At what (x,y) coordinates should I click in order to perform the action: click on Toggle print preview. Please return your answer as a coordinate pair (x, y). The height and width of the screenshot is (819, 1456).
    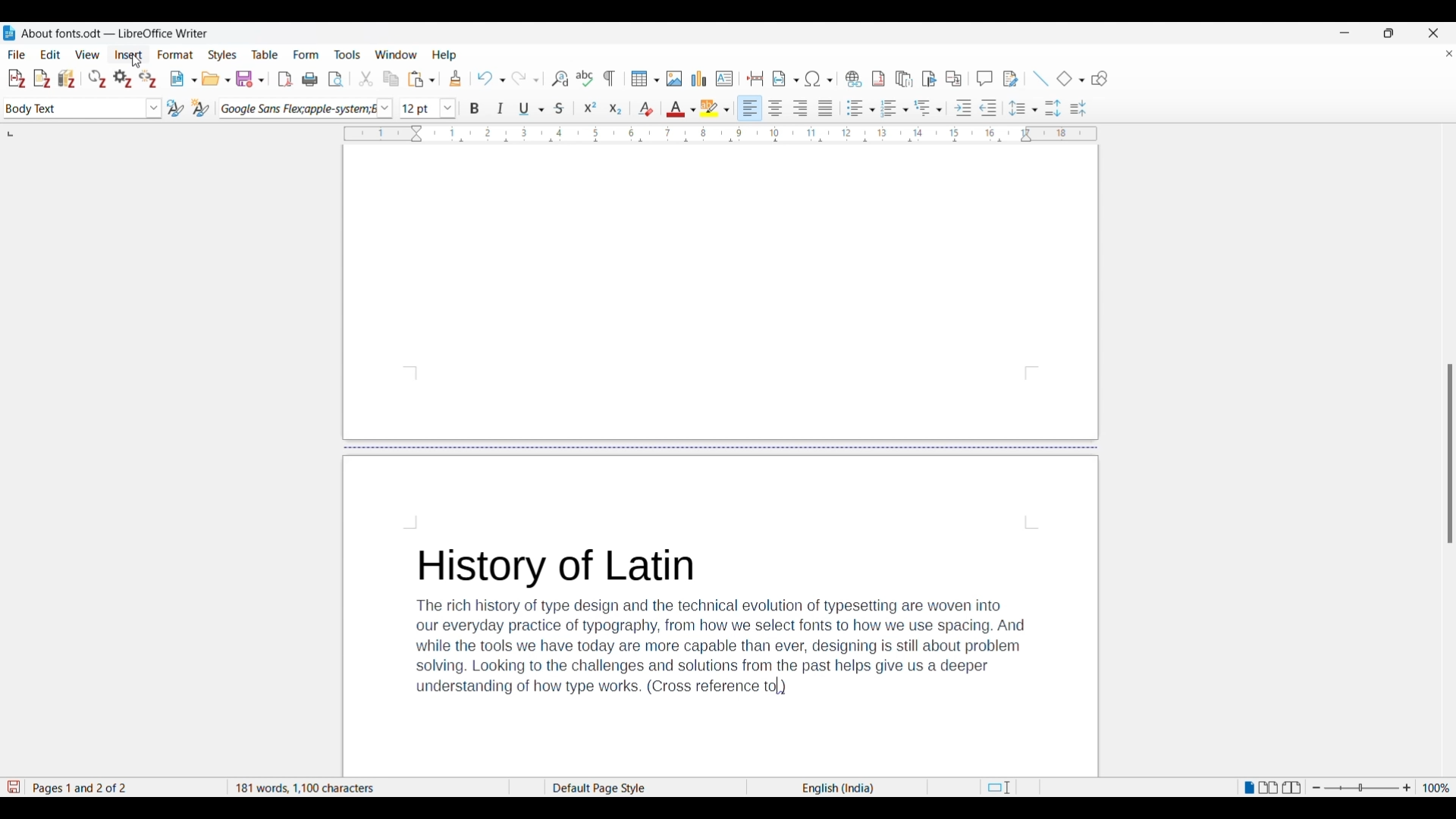
    Looking at the image, I should click on (337, 80).